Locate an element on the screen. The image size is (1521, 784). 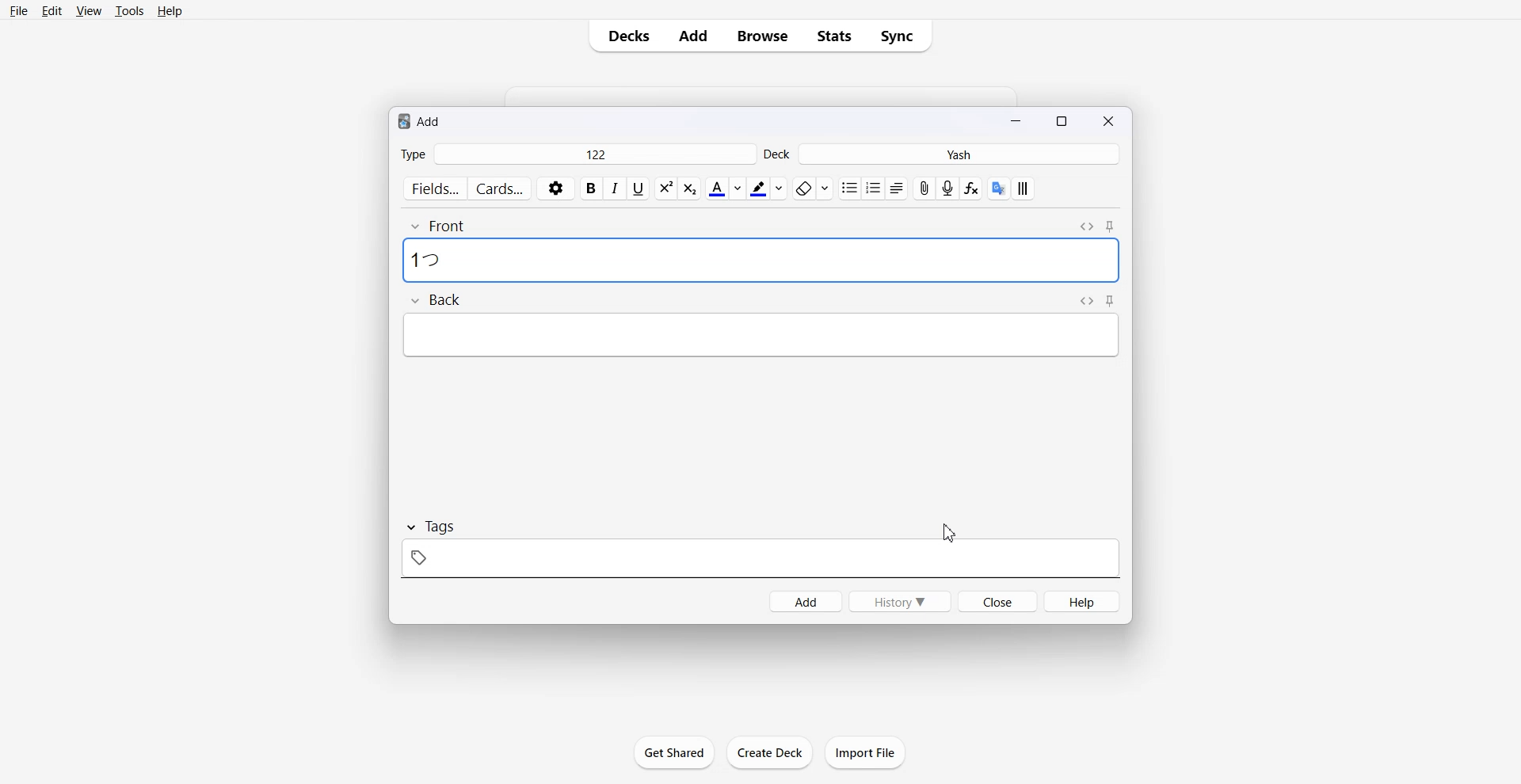
Fields is located at coordinates (433, 188).